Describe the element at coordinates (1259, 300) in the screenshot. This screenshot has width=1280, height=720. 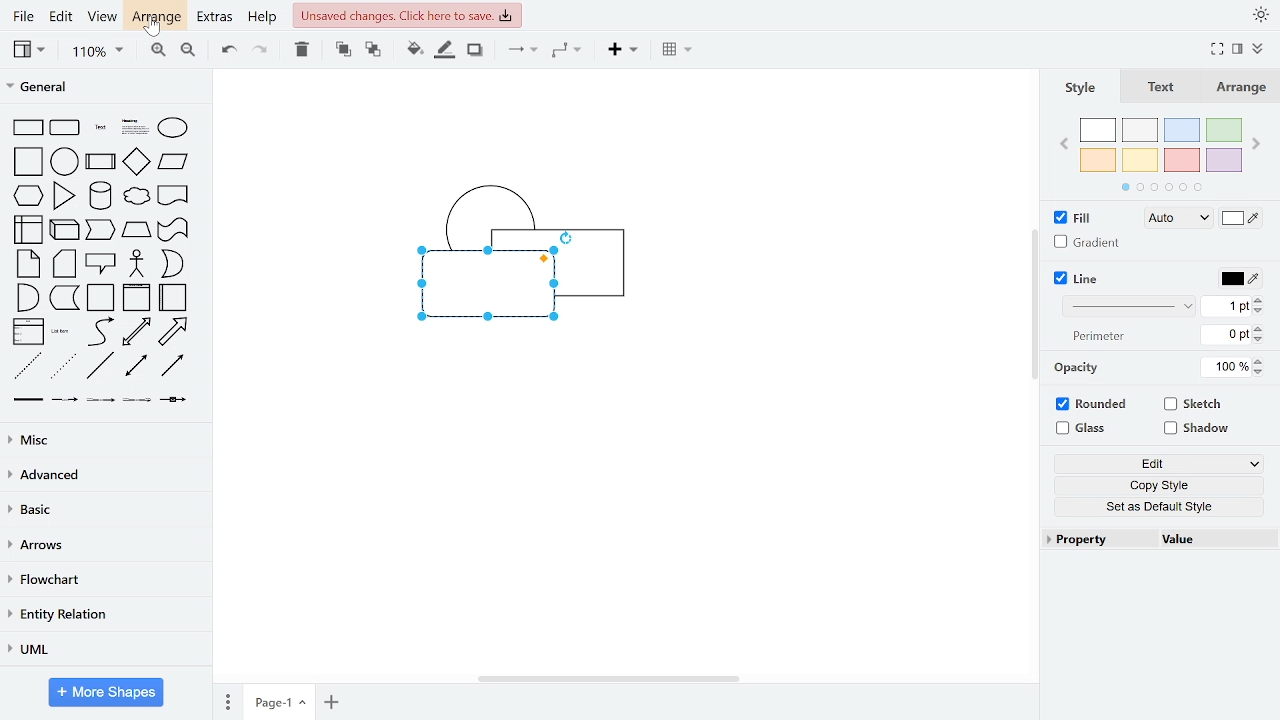
I see `increase line width` at that location.